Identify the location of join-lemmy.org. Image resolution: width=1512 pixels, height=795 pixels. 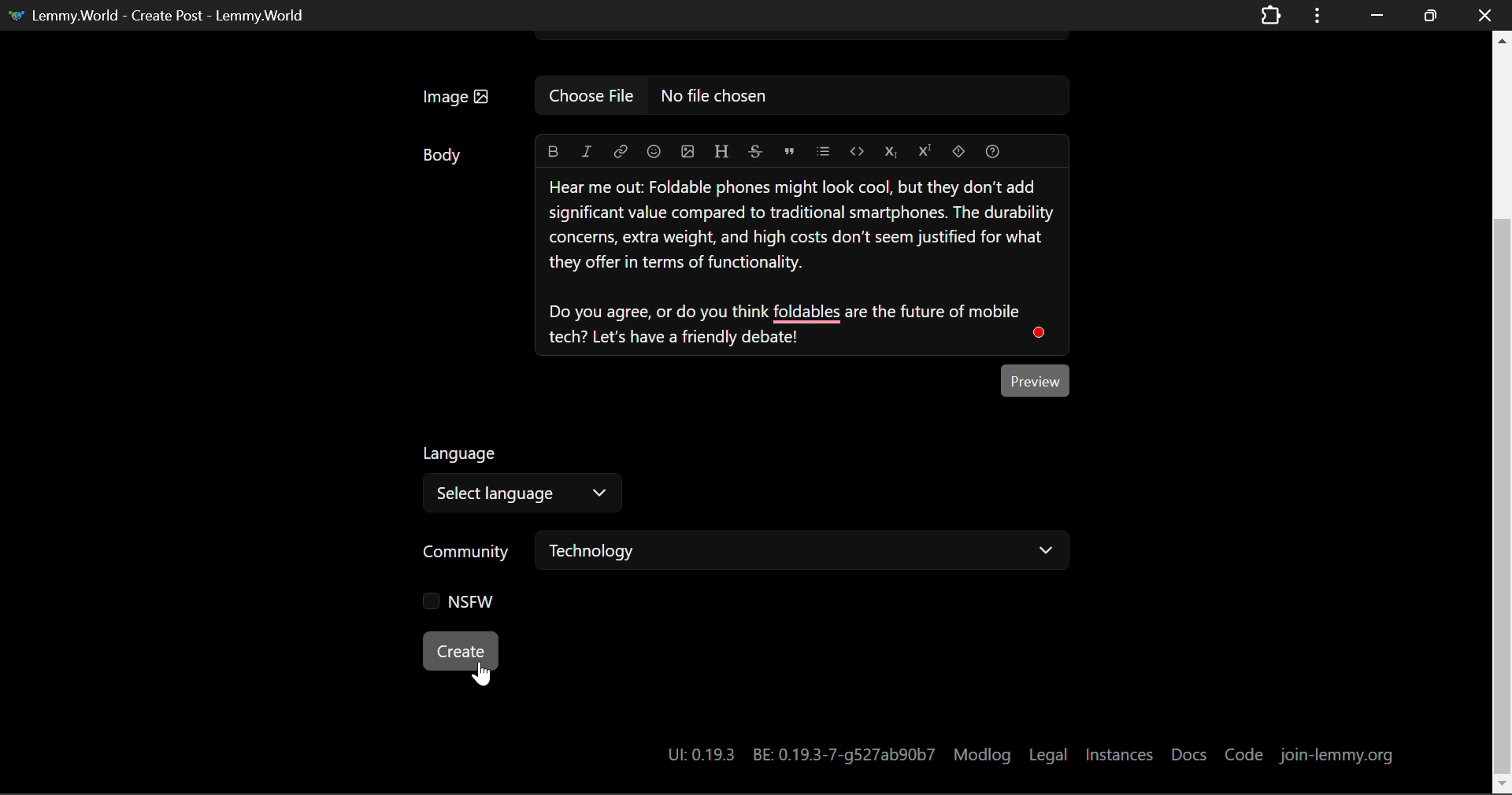
(1336, 751).